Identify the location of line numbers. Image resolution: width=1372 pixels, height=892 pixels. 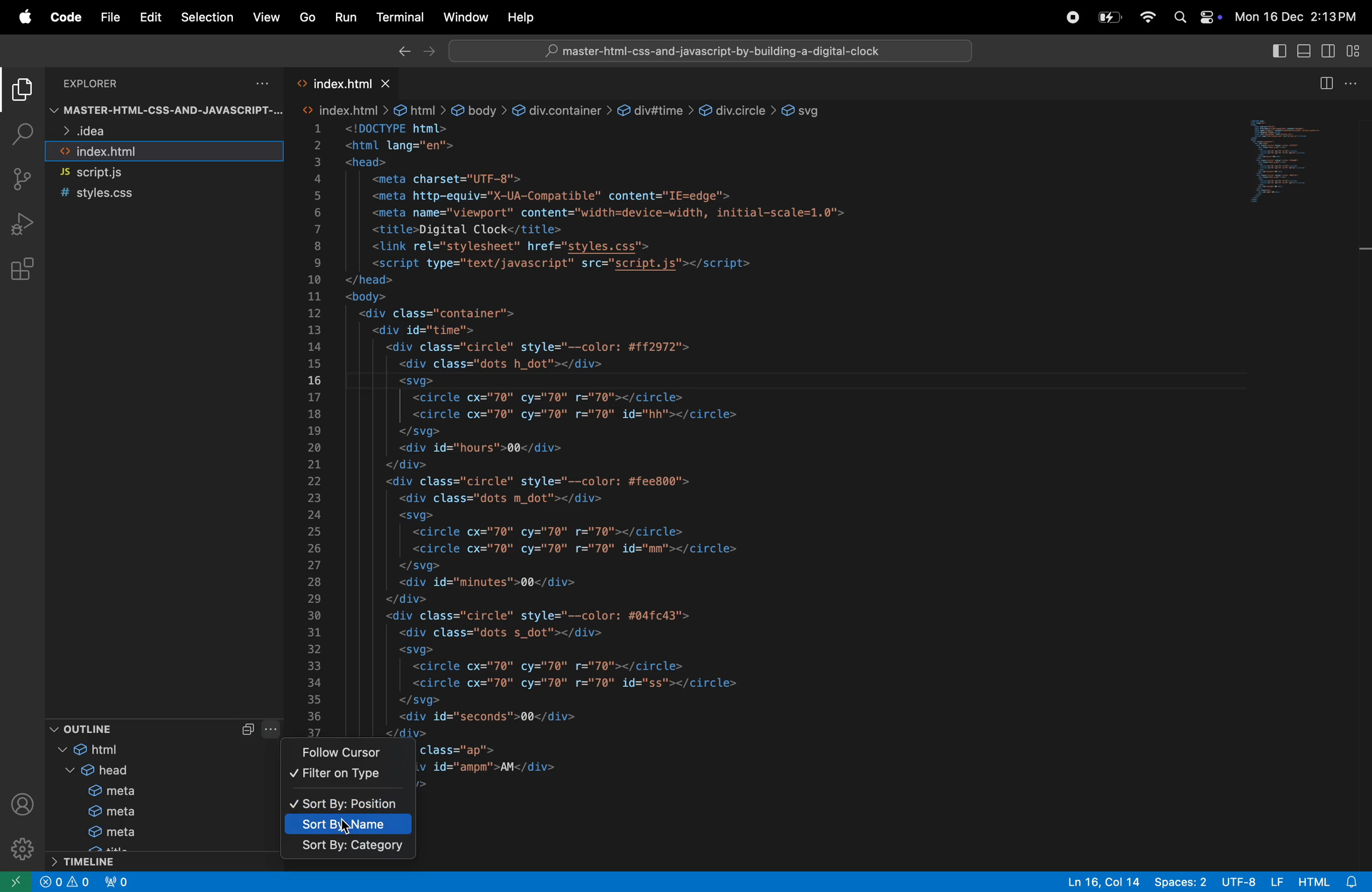
(314, 427).